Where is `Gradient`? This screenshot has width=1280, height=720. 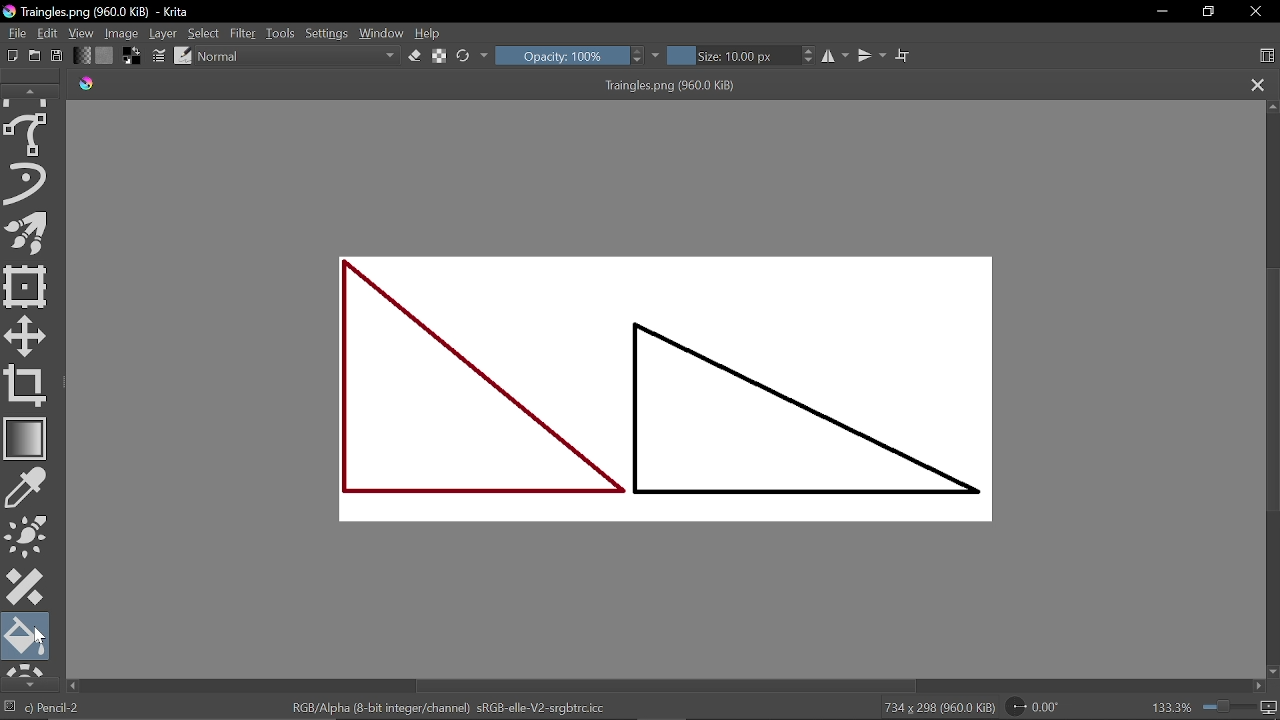
Gradient is located at coordinates (26, 438).